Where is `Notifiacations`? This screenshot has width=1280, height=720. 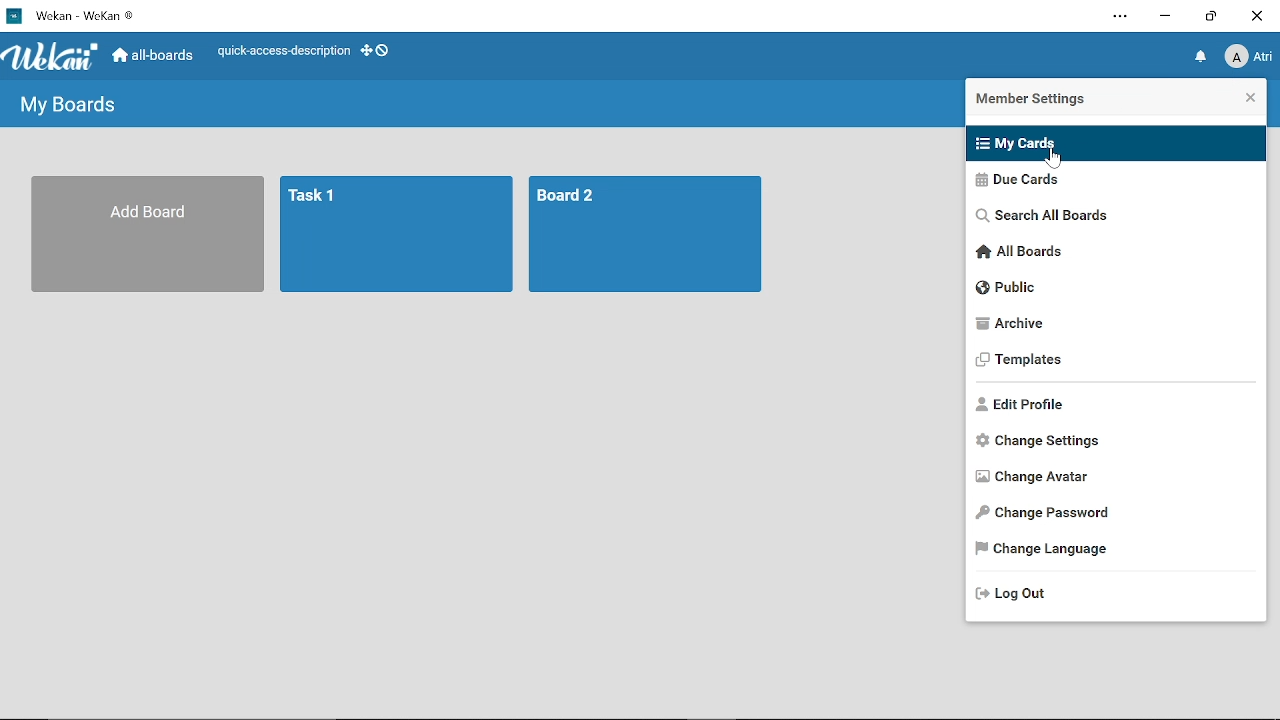 Notifiacations is located at coordinates (1202, 61).